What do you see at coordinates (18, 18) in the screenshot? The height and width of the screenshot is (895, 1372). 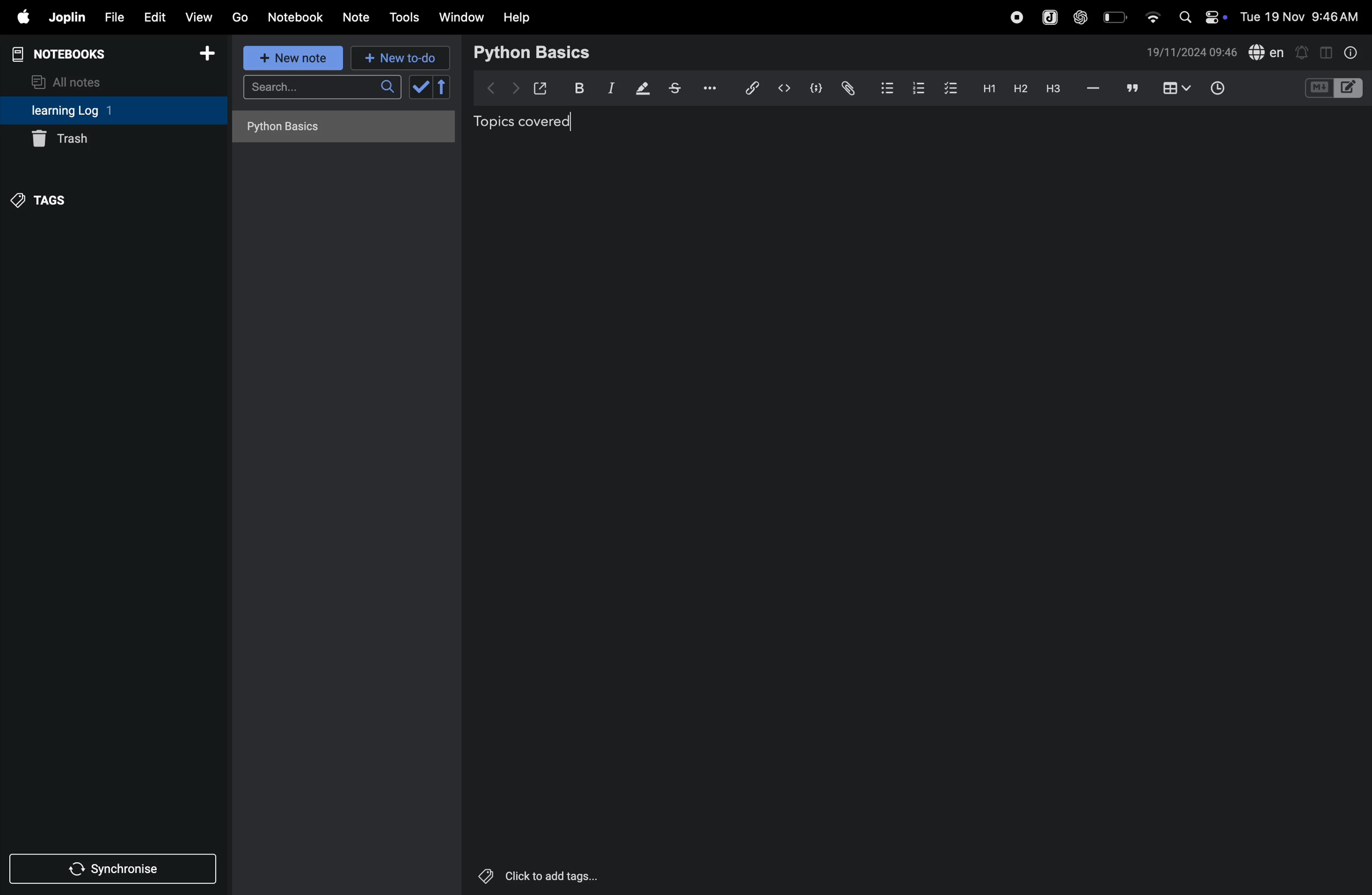 I see `apple menu` at bounding box center [18, 18].